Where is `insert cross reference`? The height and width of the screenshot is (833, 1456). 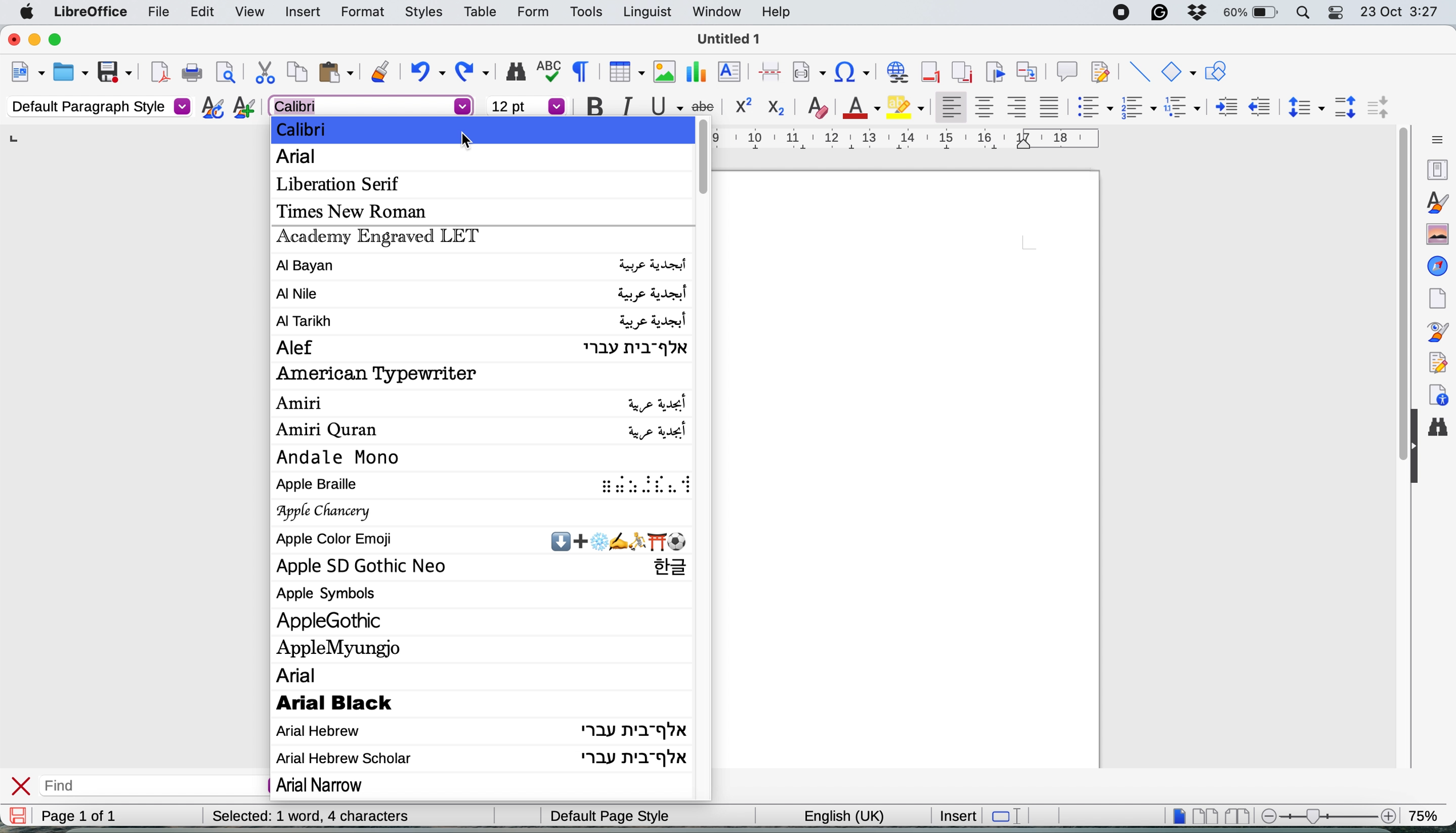
insert cross reference is located at coordinates (1029, 73).